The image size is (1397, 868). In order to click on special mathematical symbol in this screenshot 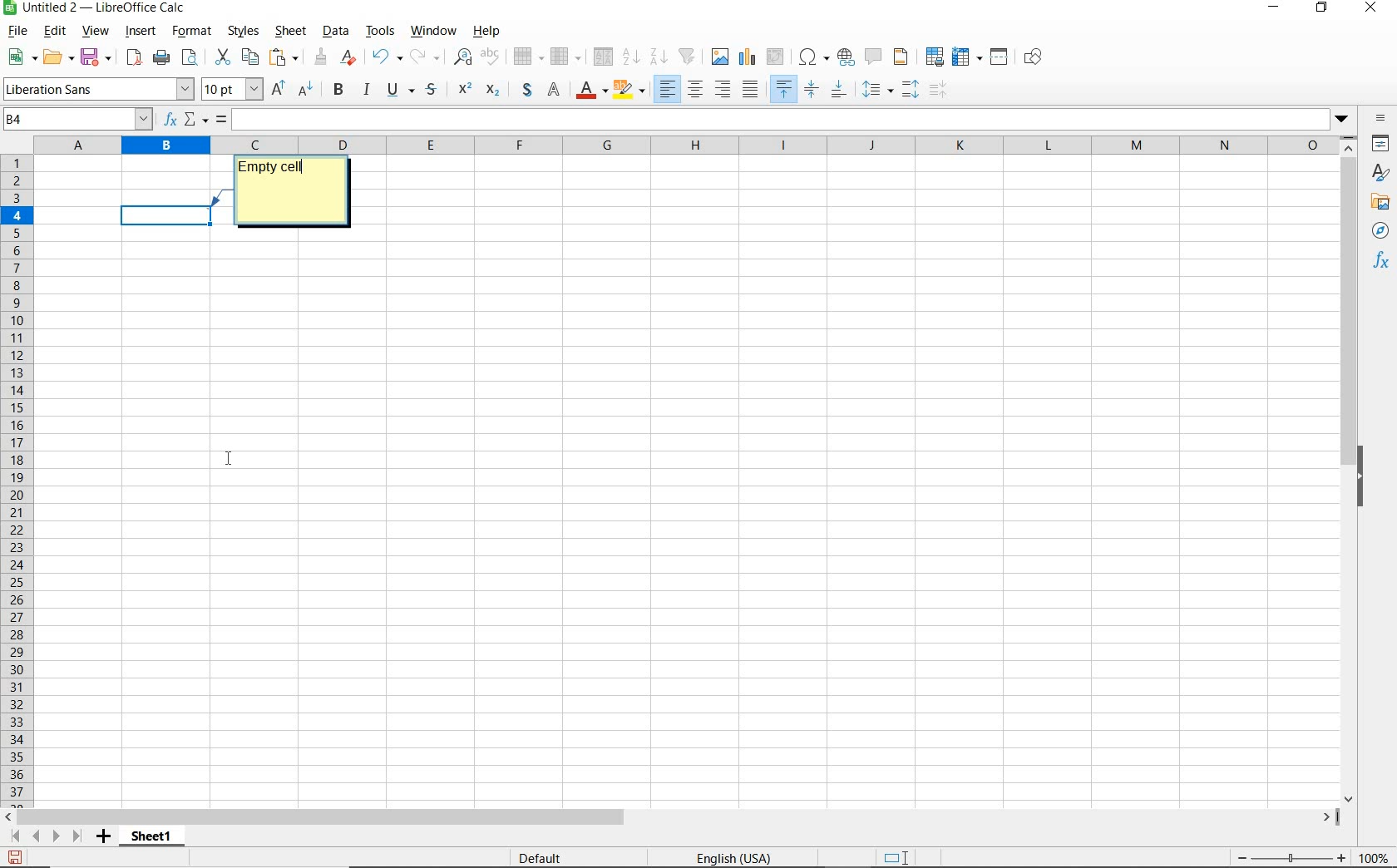, I will do `click(525, 90)`.